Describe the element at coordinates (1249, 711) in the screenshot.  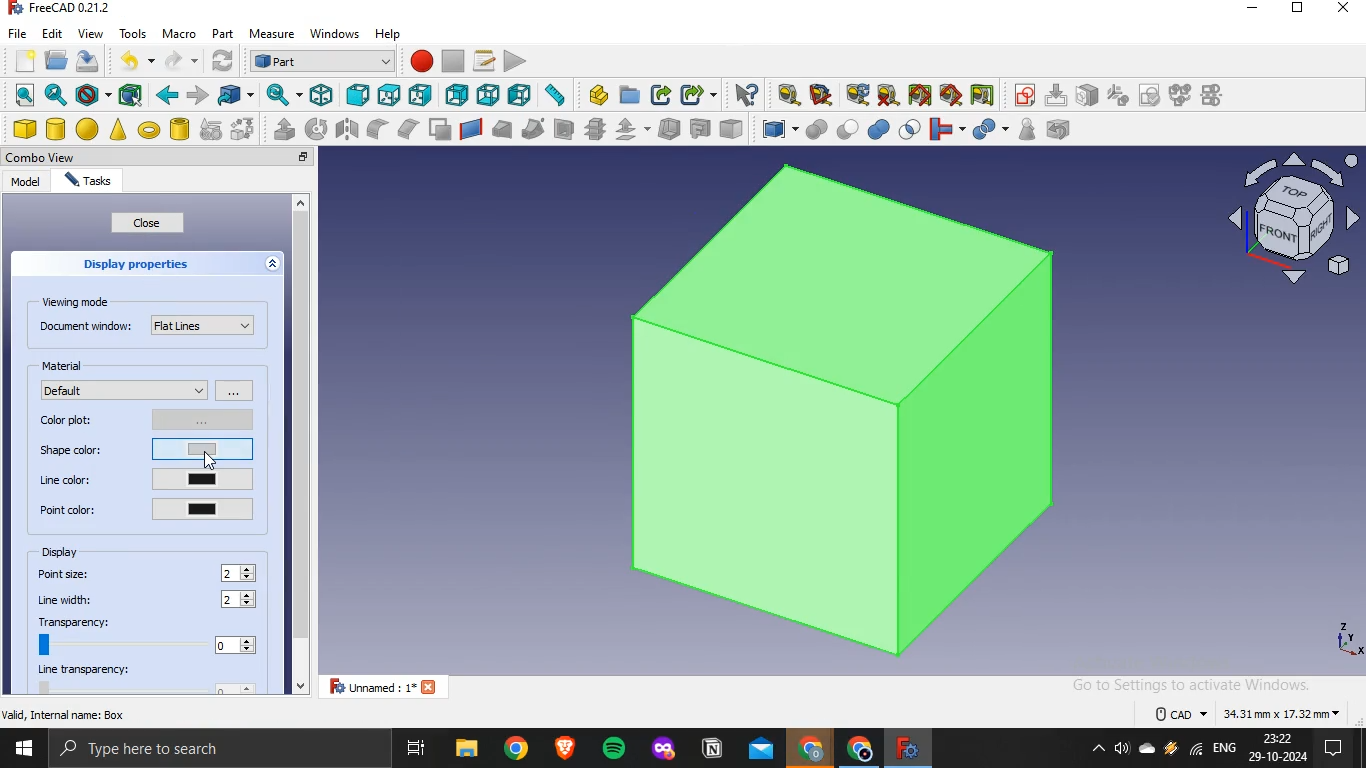
I see `text` at that location.